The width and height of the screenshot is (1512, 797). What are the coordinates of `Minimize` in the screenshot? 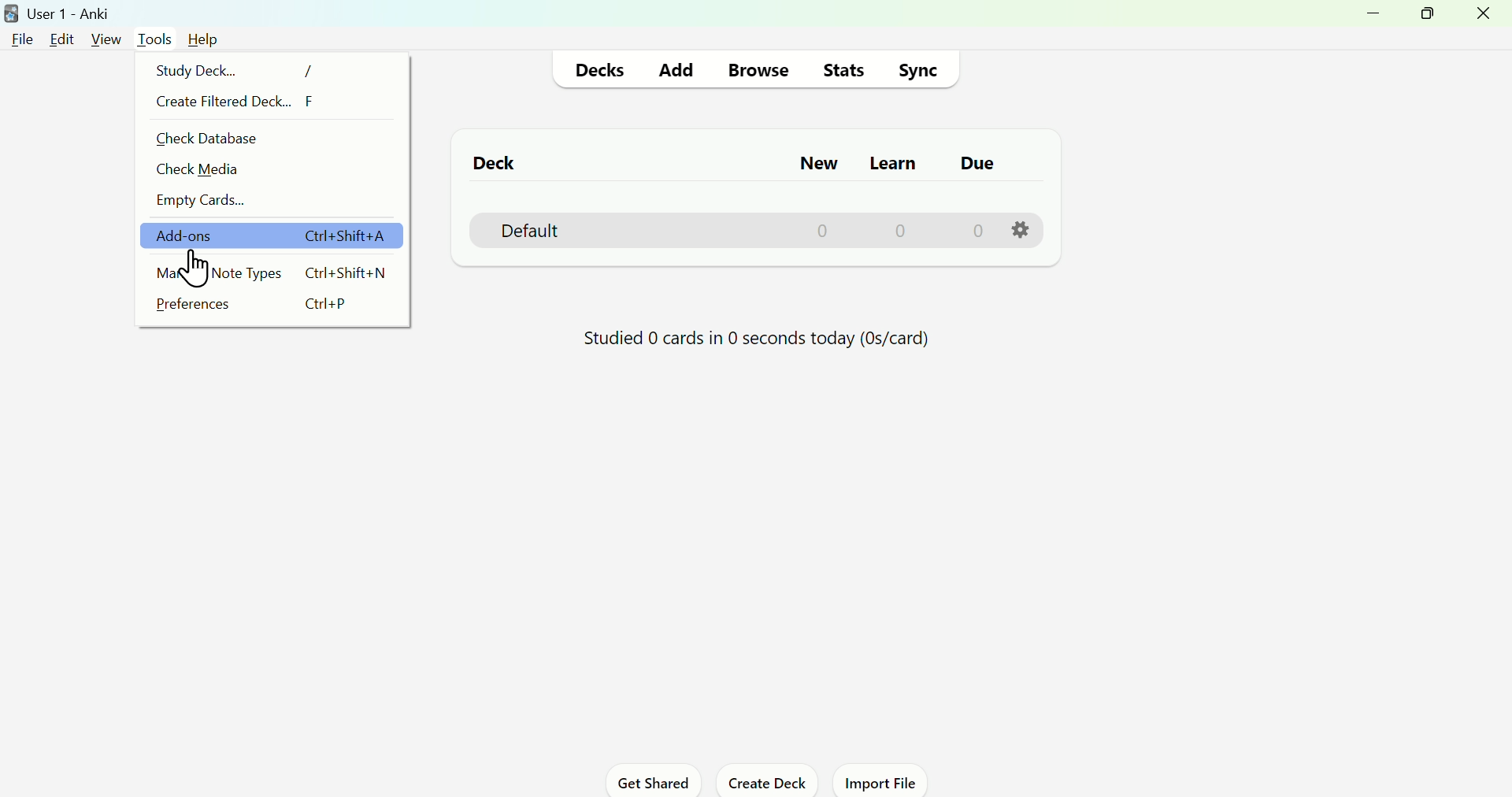 It's located at (1380, 21).